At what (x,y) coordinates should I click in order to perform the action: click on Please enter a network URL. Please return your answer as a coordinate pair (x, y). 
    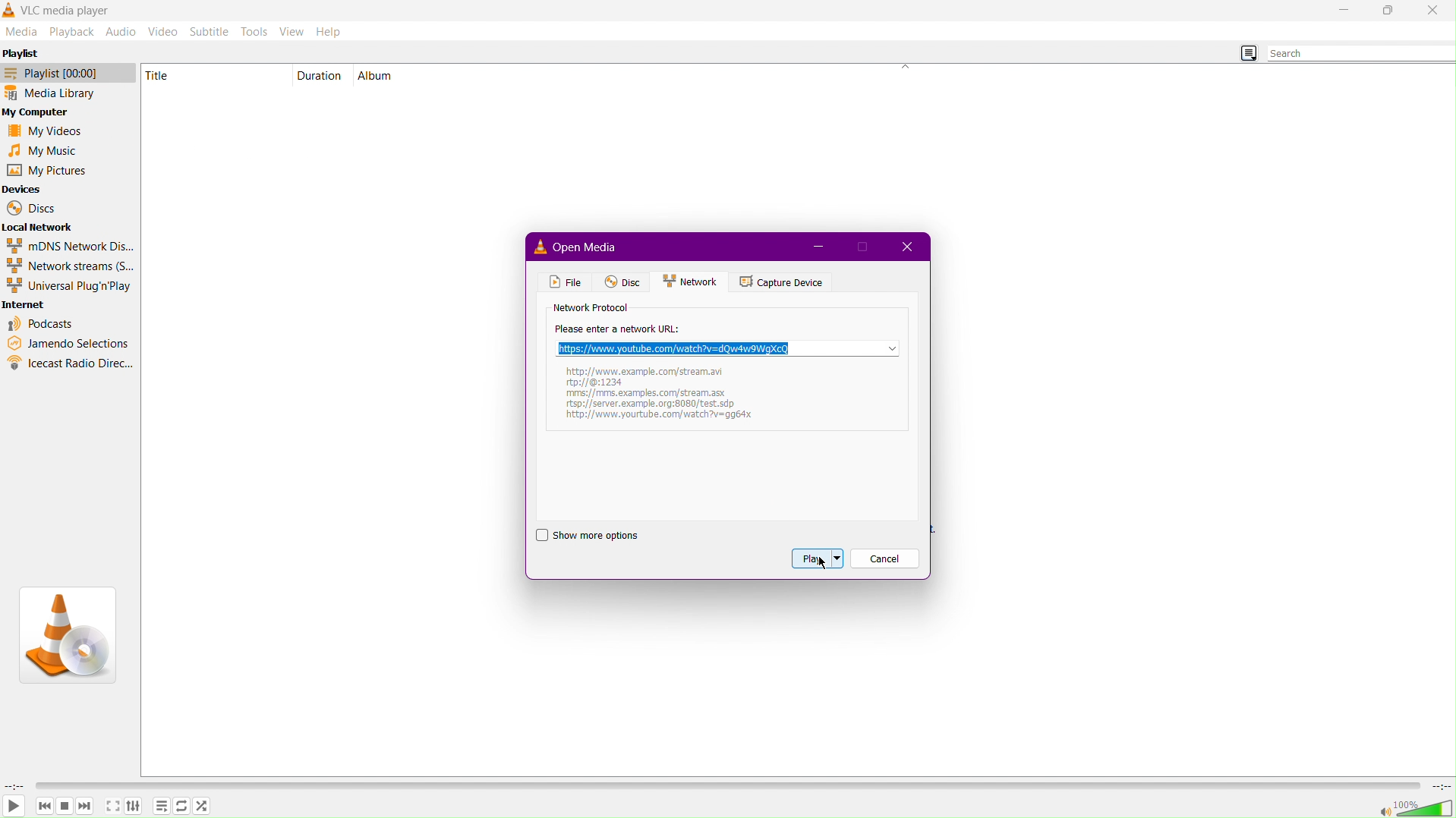
    Looking at the image, I should click on (618, 329).